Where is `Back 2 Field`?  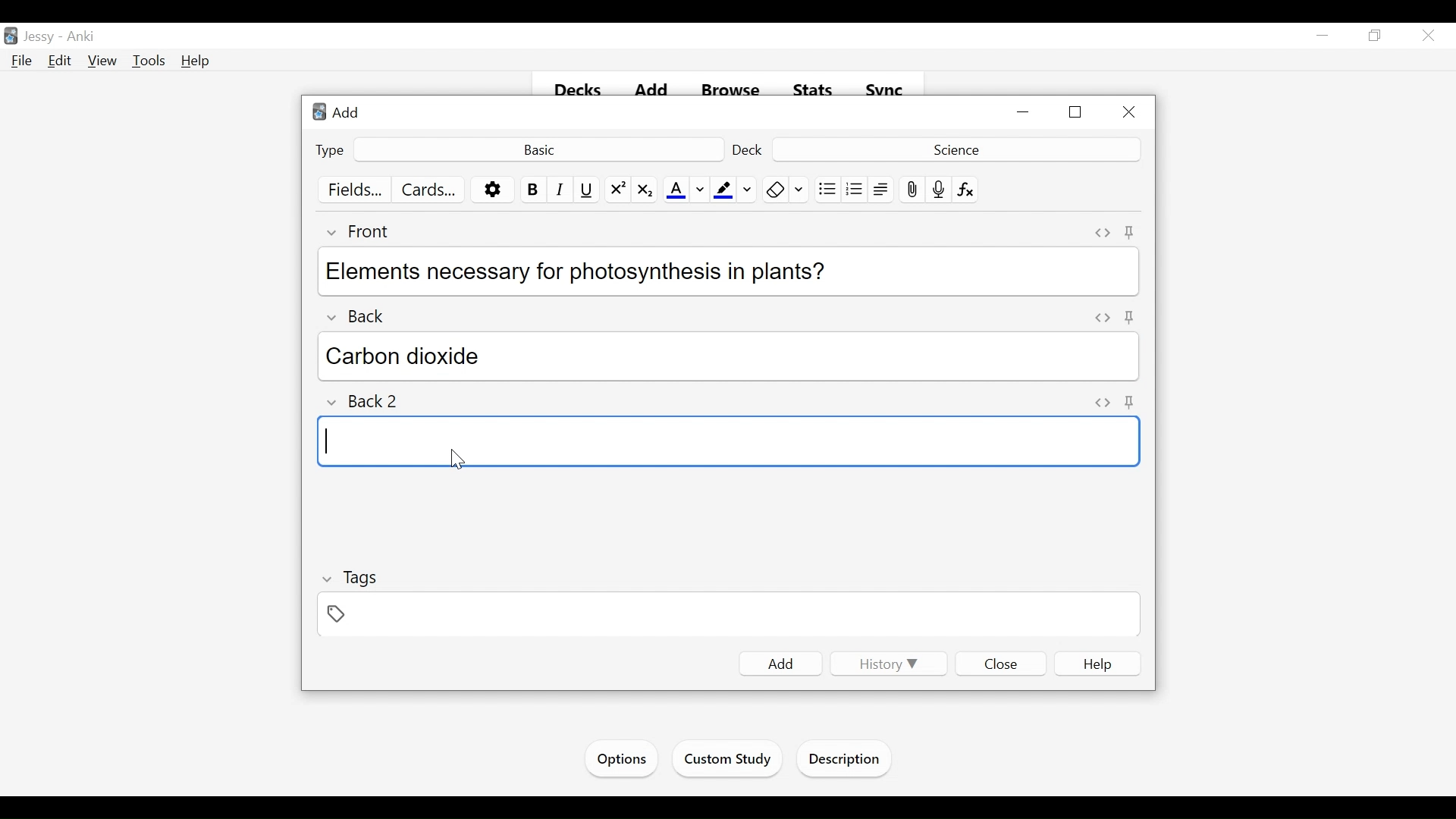
Back 2 Field is located at coordinates (726, 441).